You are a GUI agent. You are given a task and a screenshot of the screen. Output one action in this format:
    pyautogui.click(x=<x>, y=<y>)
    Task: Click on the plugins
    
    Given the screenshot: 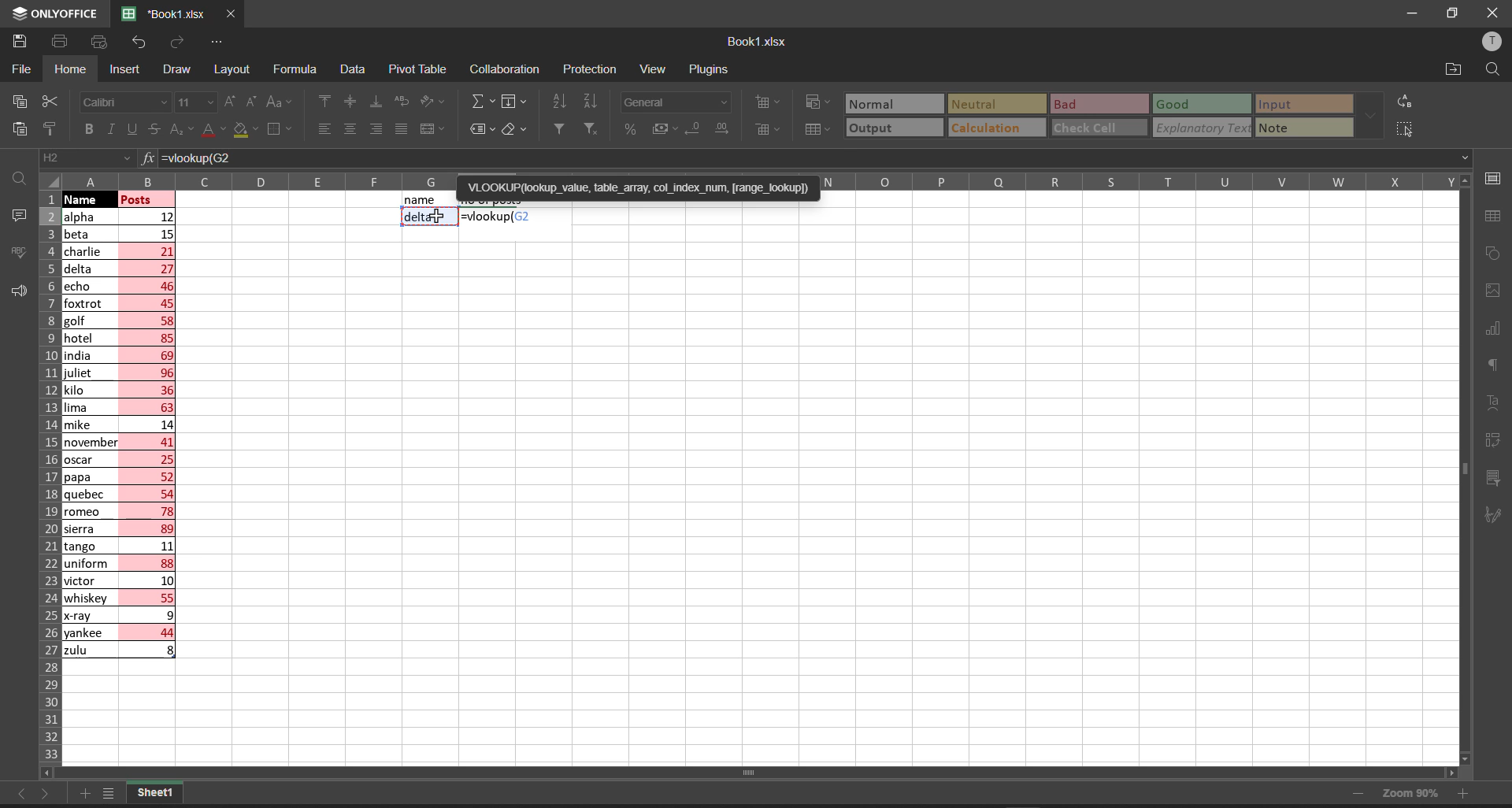 What is the action you would take?
    pyautogui.click(x=710, y=69)
    